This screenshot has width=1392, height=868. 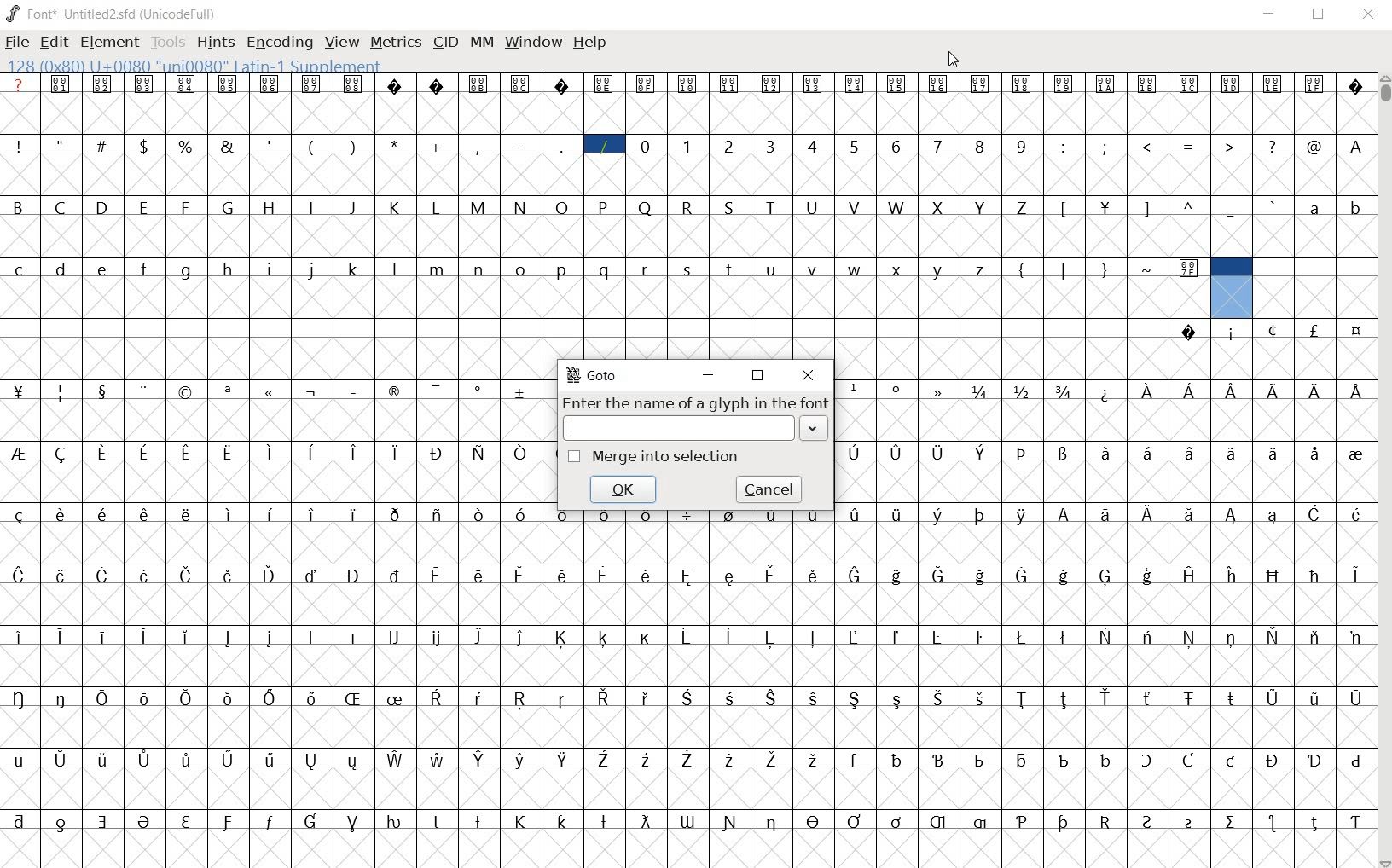 What do you see at coordinates (1231, 513) in the screenshot?
I see `Symbol` at bounding box center [1231, 513].